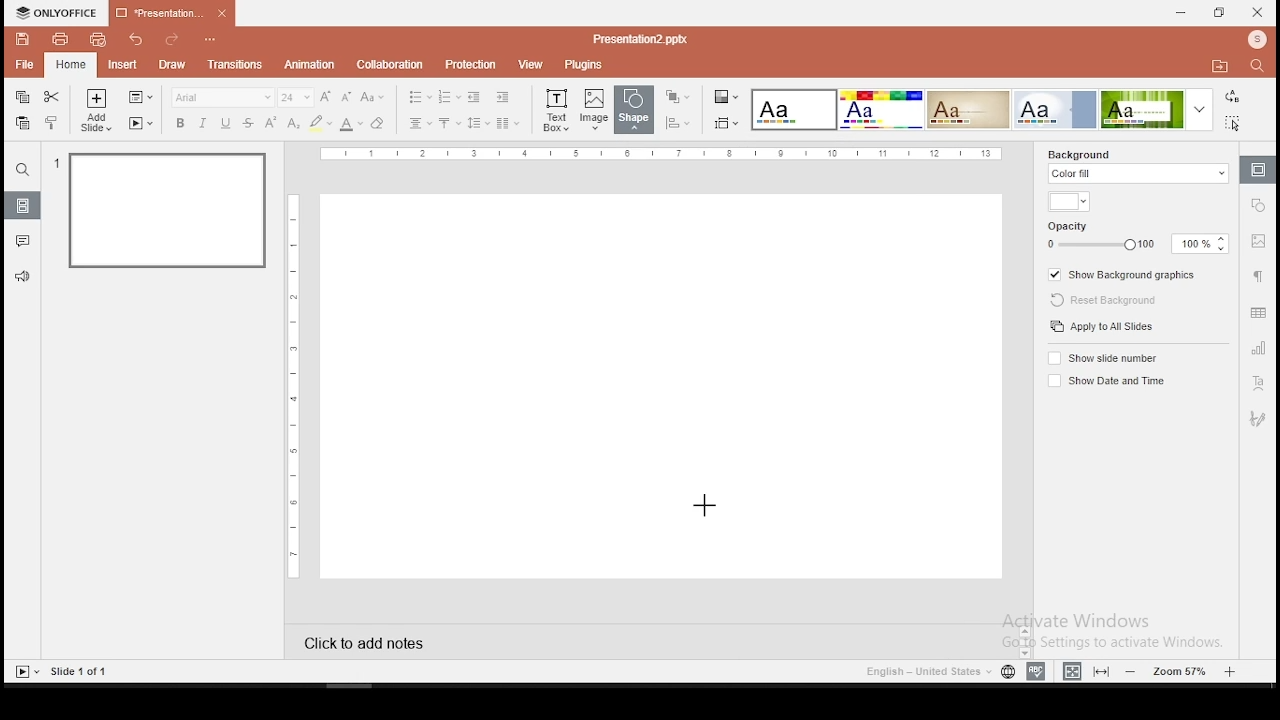  What do you see at coordinates (297, 383) in the screenshot?
I see `vertical scale` at bounding box center [297, 383].